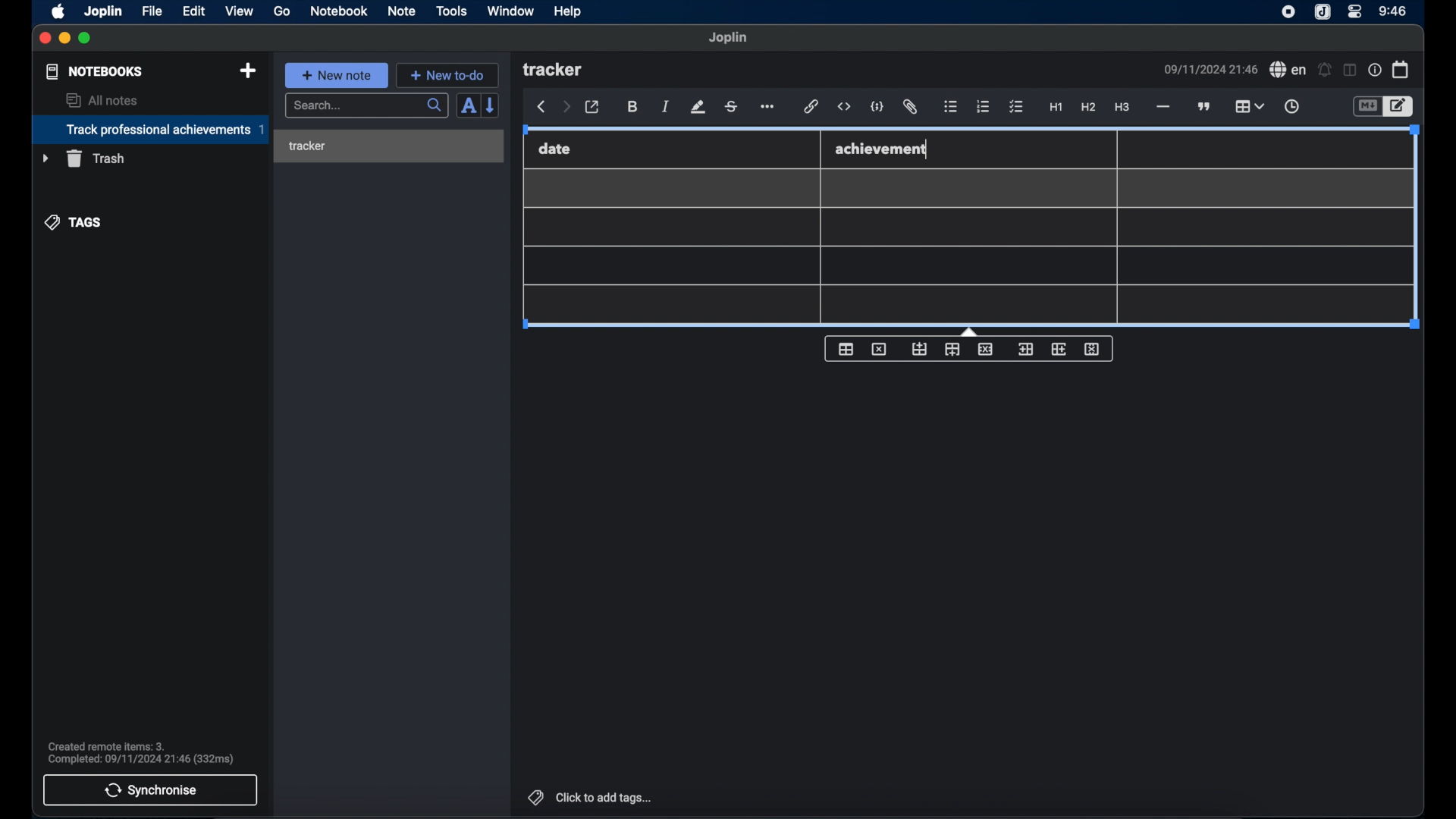  What do you see at coordinates (152, 11) in the screenshot?
I see `file` at bounding box center [152, 11].